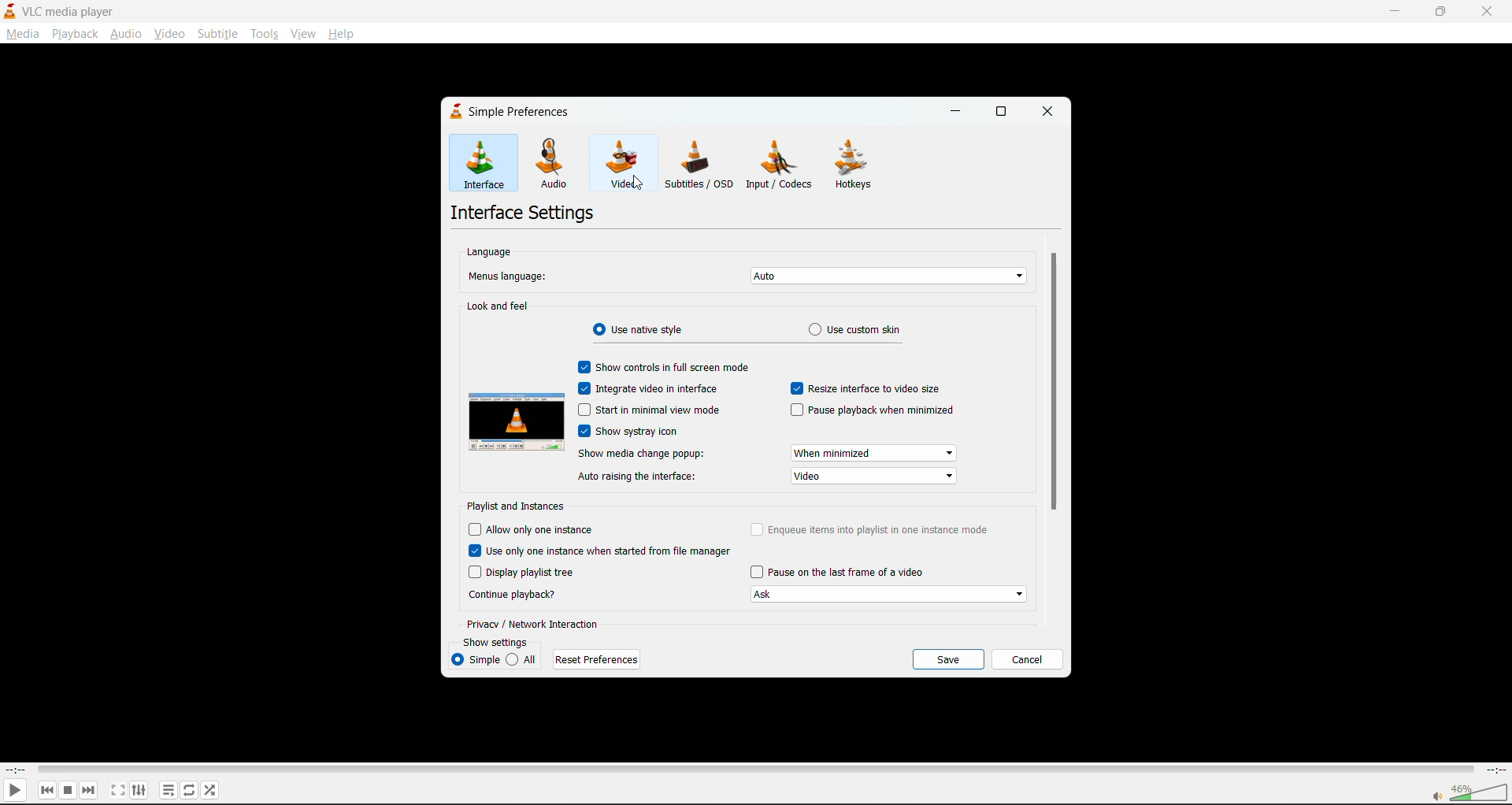 Image resolution: width=1512 pixels, height=805 pixels. What do you see at coordinates (513, 112) in the screenshot?
I see `simple preferences` at bounding box center [513, 112].